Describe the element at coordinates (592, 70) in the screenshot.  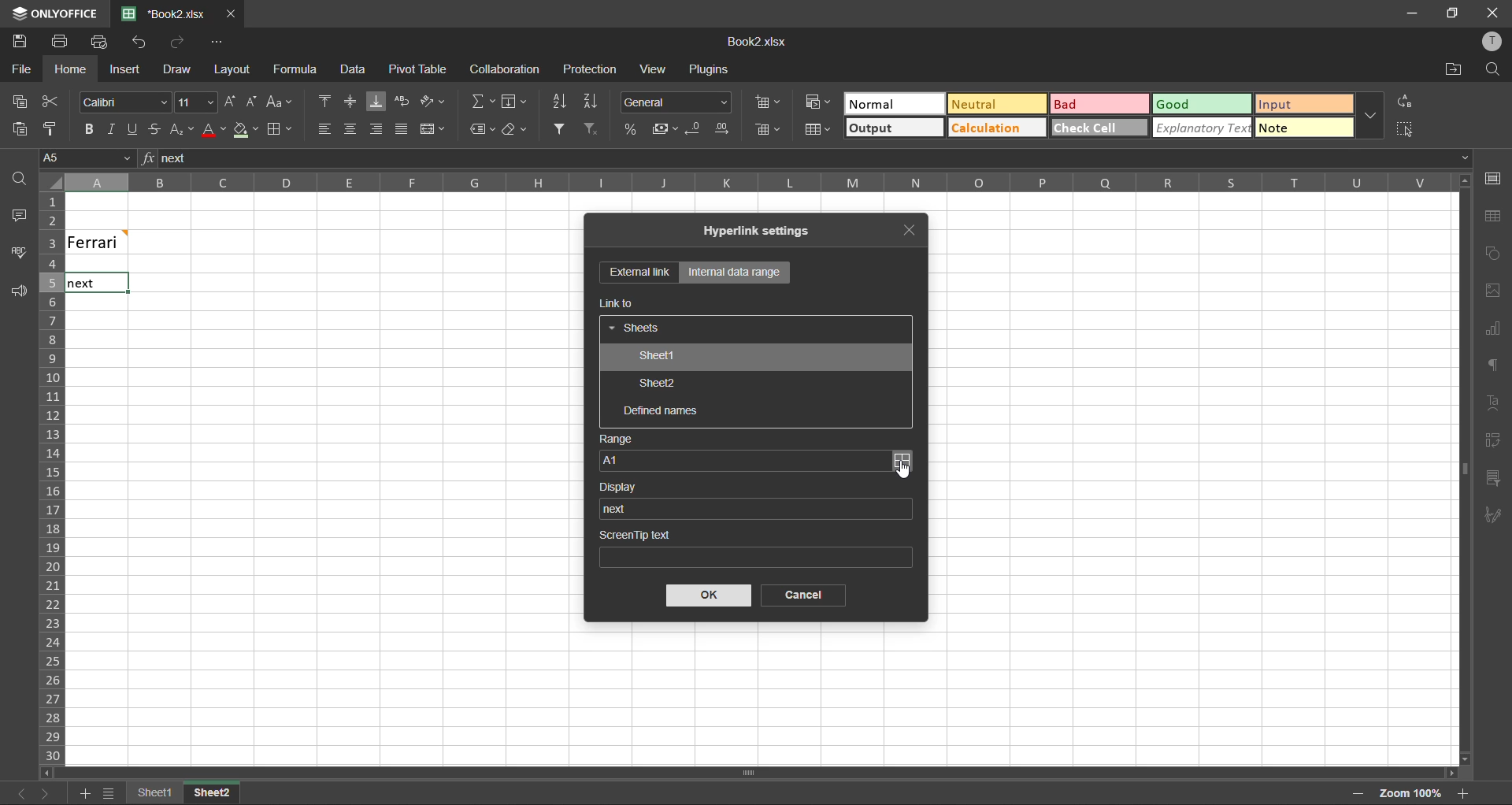
I see `protection` at that location.